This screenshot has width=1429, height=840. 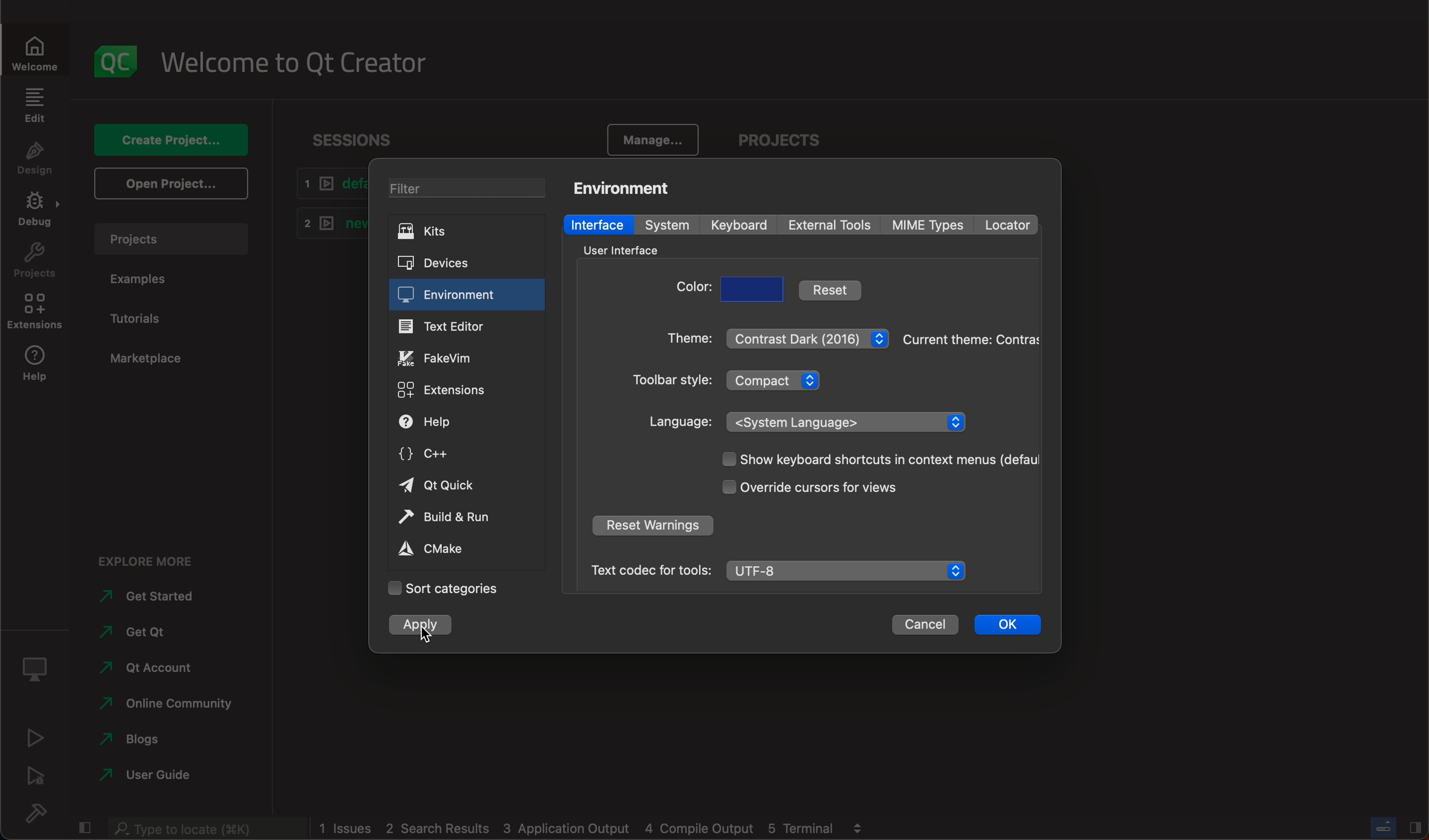 I want to click on compact, so click(x=779, y=379).